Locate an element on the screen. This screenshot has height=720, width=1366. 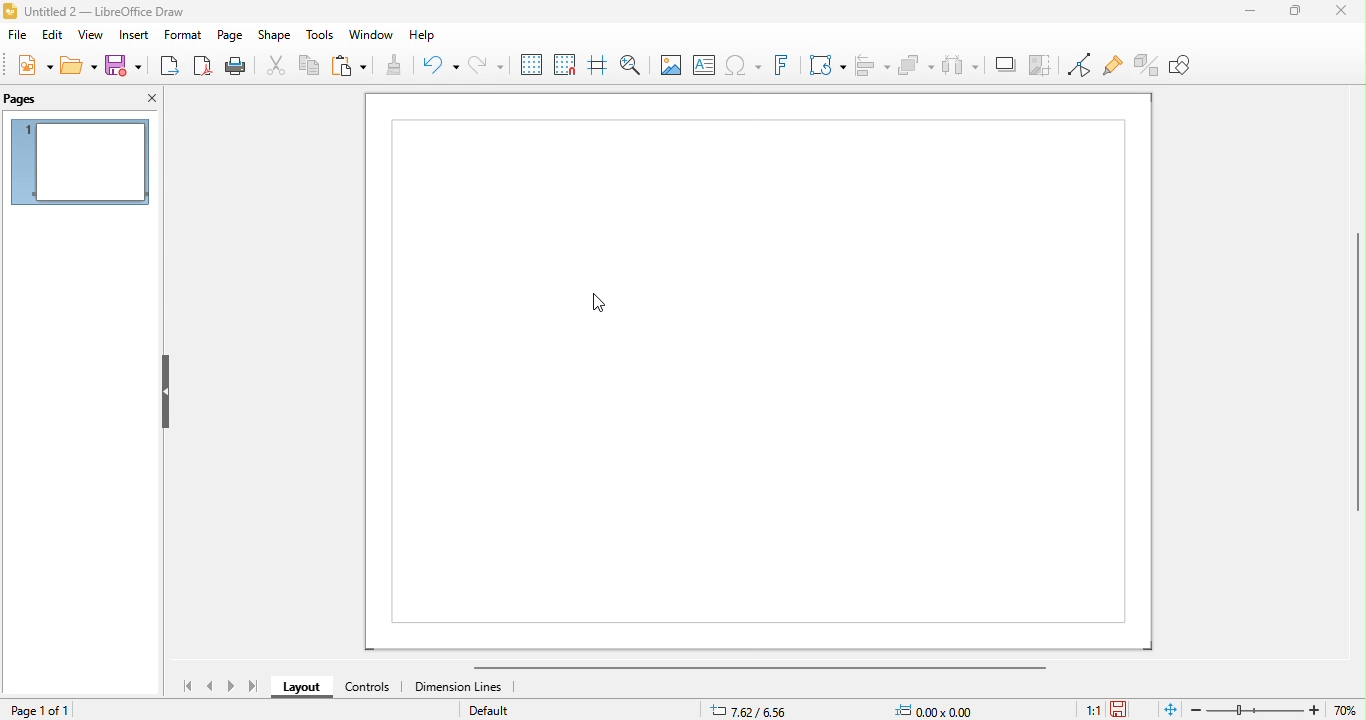
redo is located at coordinates (484, 65).